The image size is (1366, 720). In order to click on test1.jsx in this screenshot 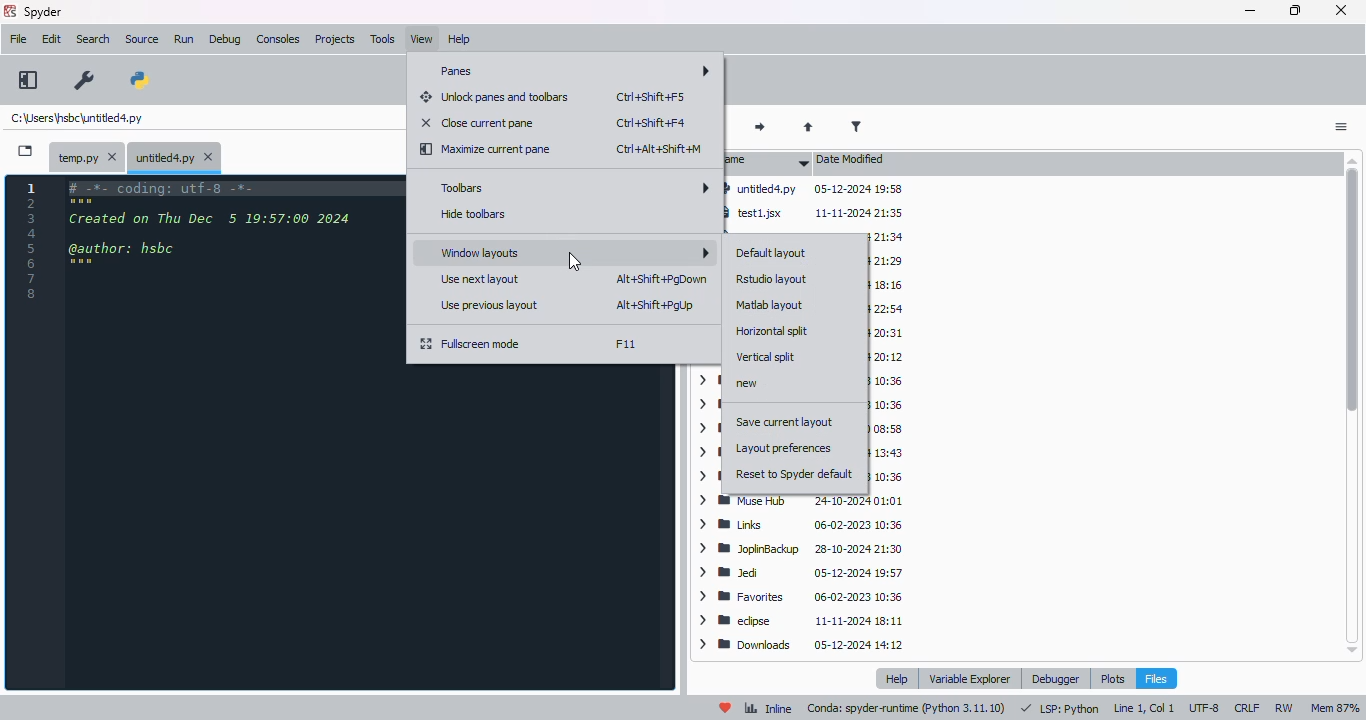, I will do `click(818, 212)`.